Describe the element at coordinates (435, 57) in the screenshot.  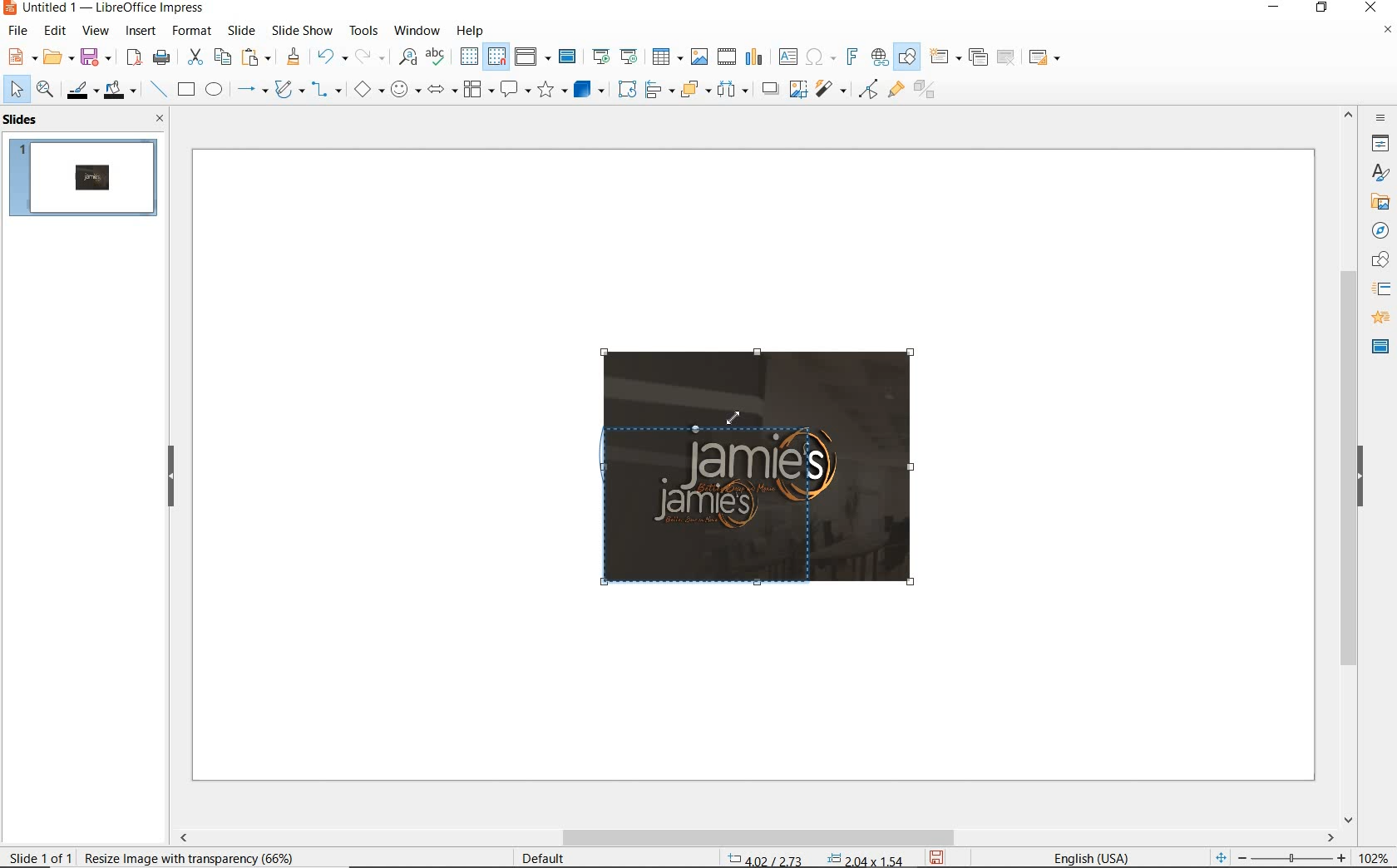
I see `spelling` at that location.